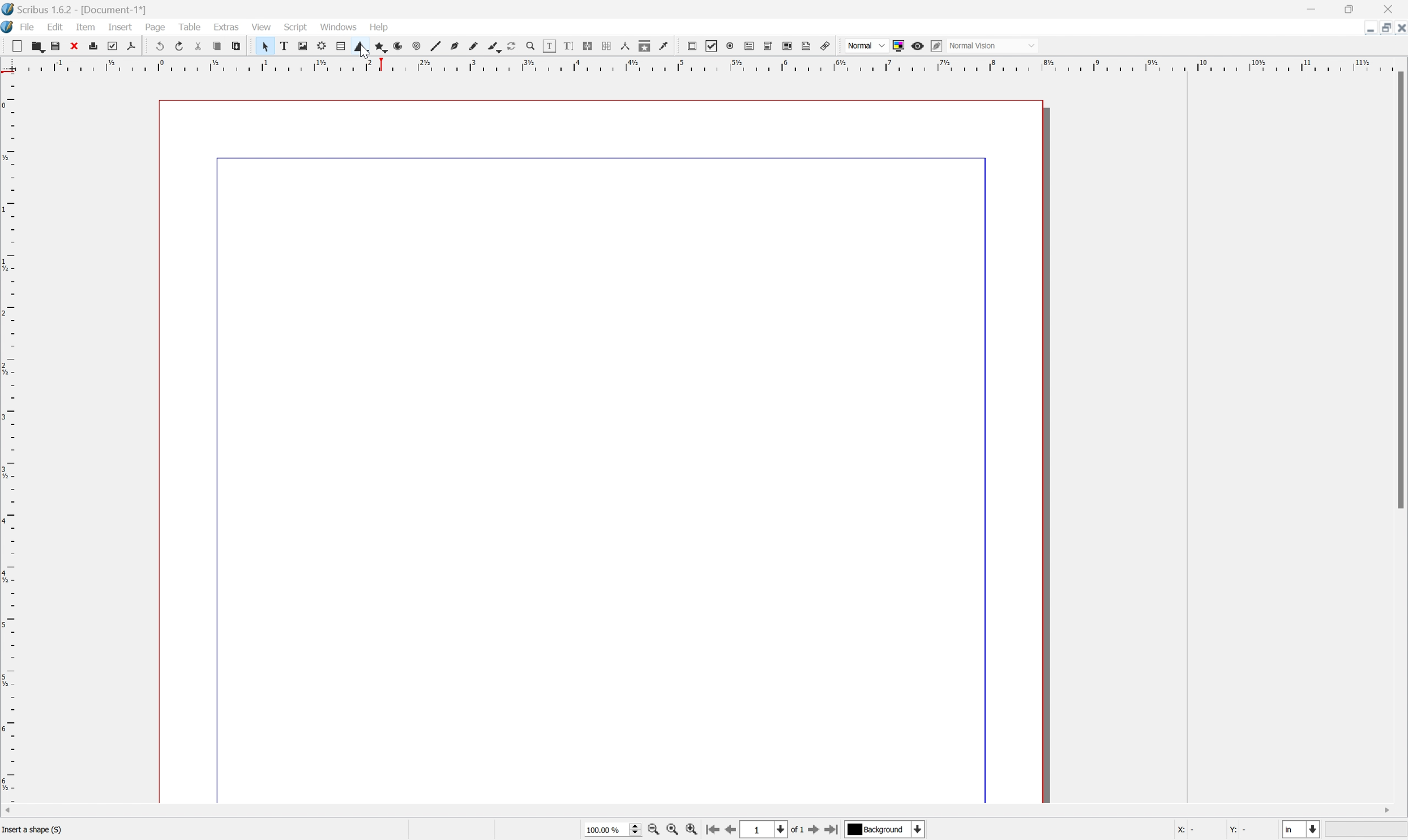 This screenshot has width=1408, height=840. What do you see at coordinates (10, 810) in the screenshot?
I see `Scroll Left` at bounding box center [10, 810].